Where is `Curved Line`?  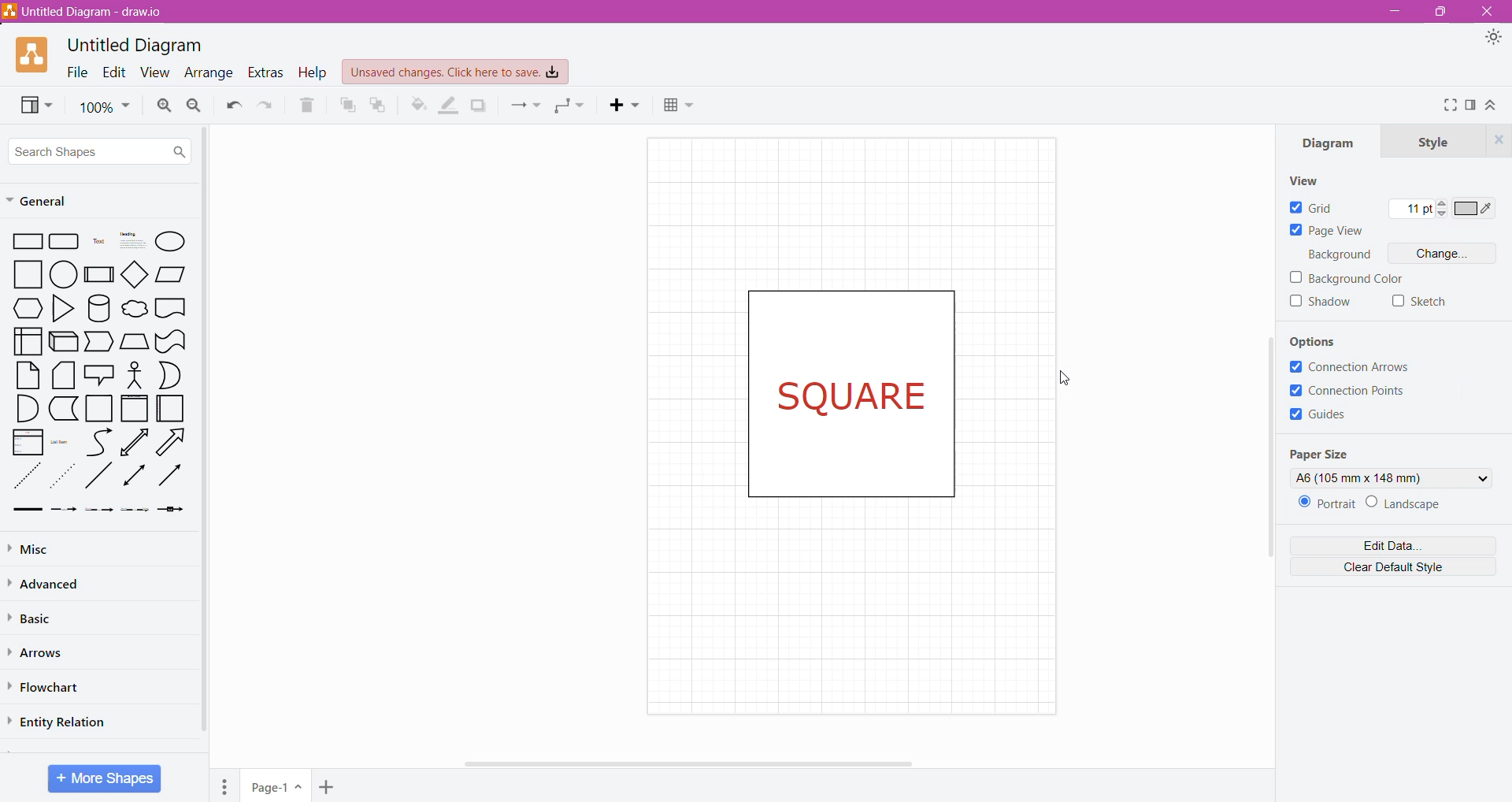
Curved Line is located at coordinates (98, 443).